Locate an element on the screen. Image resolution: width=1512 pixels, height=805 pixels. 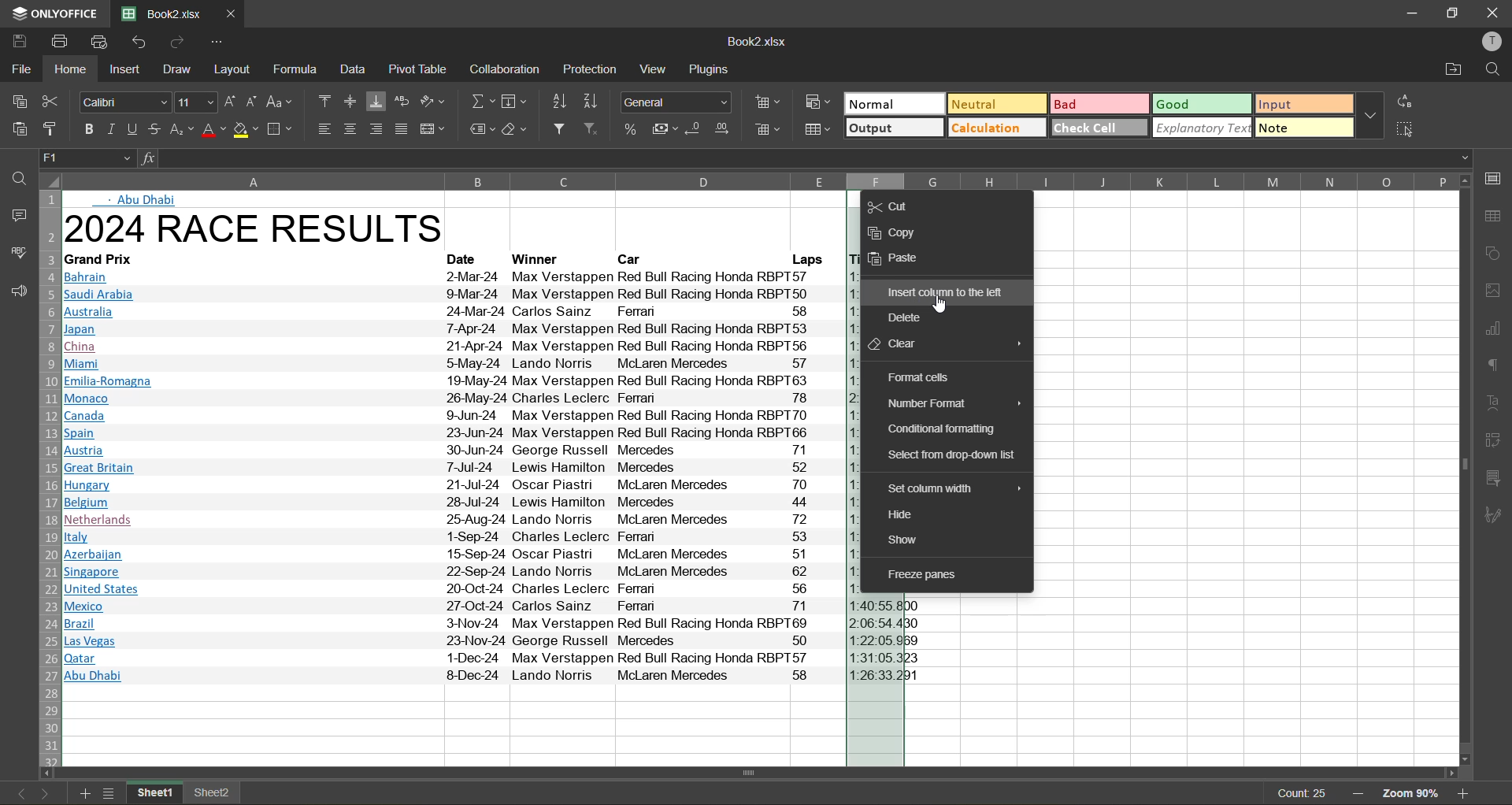
format cells is located at coordinates (919, 377).